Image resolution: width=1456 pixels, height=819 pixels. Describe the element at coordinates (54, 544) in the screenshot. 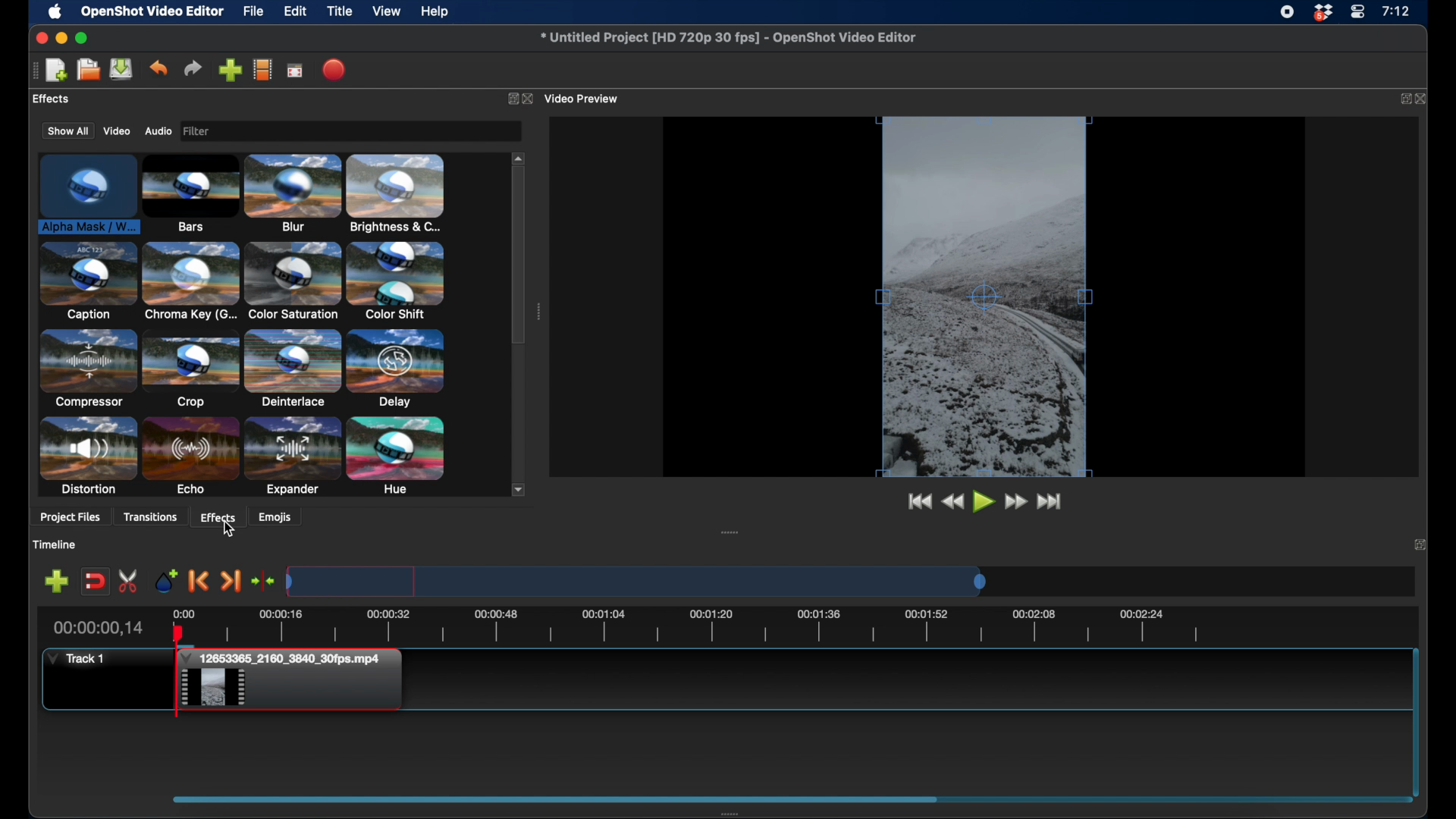

I see `timeline` at that location.